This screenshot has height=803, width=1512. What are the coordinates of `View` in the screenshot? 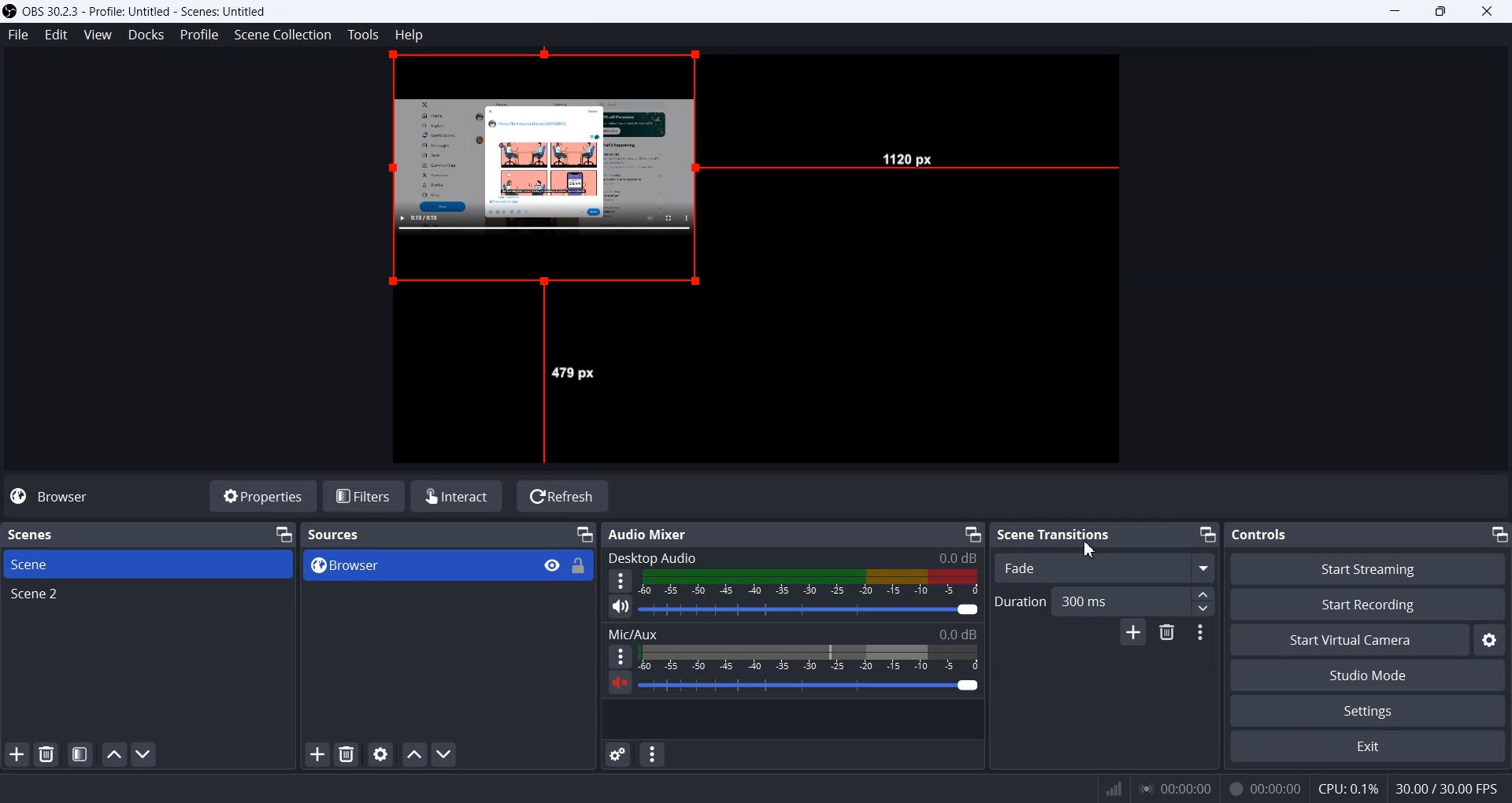 It's located at (97, 35).